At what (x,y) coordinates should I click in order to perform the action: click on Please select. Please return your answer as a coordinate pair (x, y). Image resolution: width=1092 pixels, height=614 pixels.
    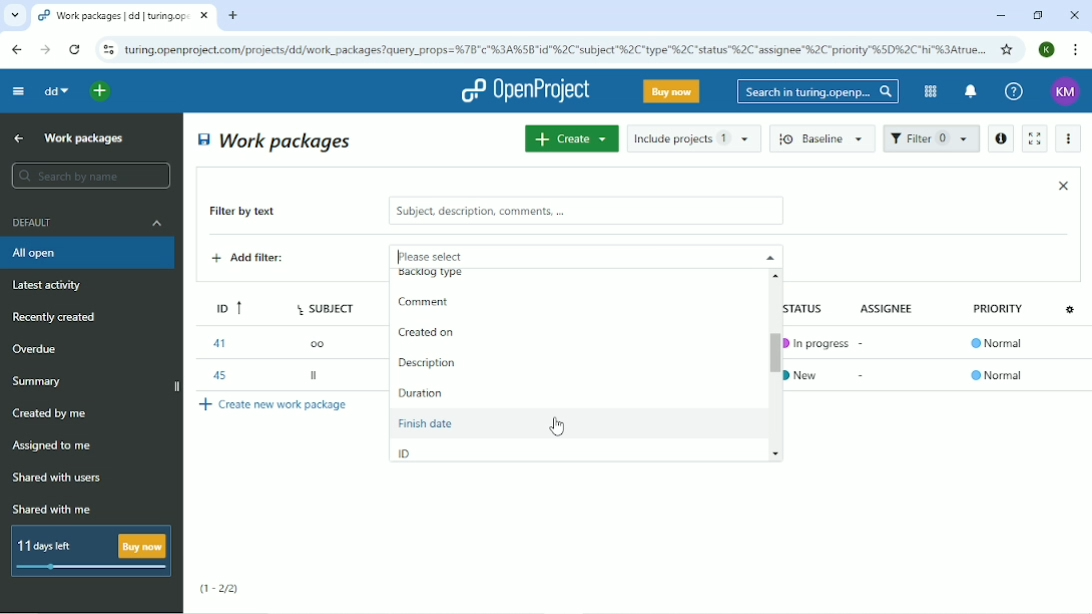
    Looking at the image, I should click on (558, 255).